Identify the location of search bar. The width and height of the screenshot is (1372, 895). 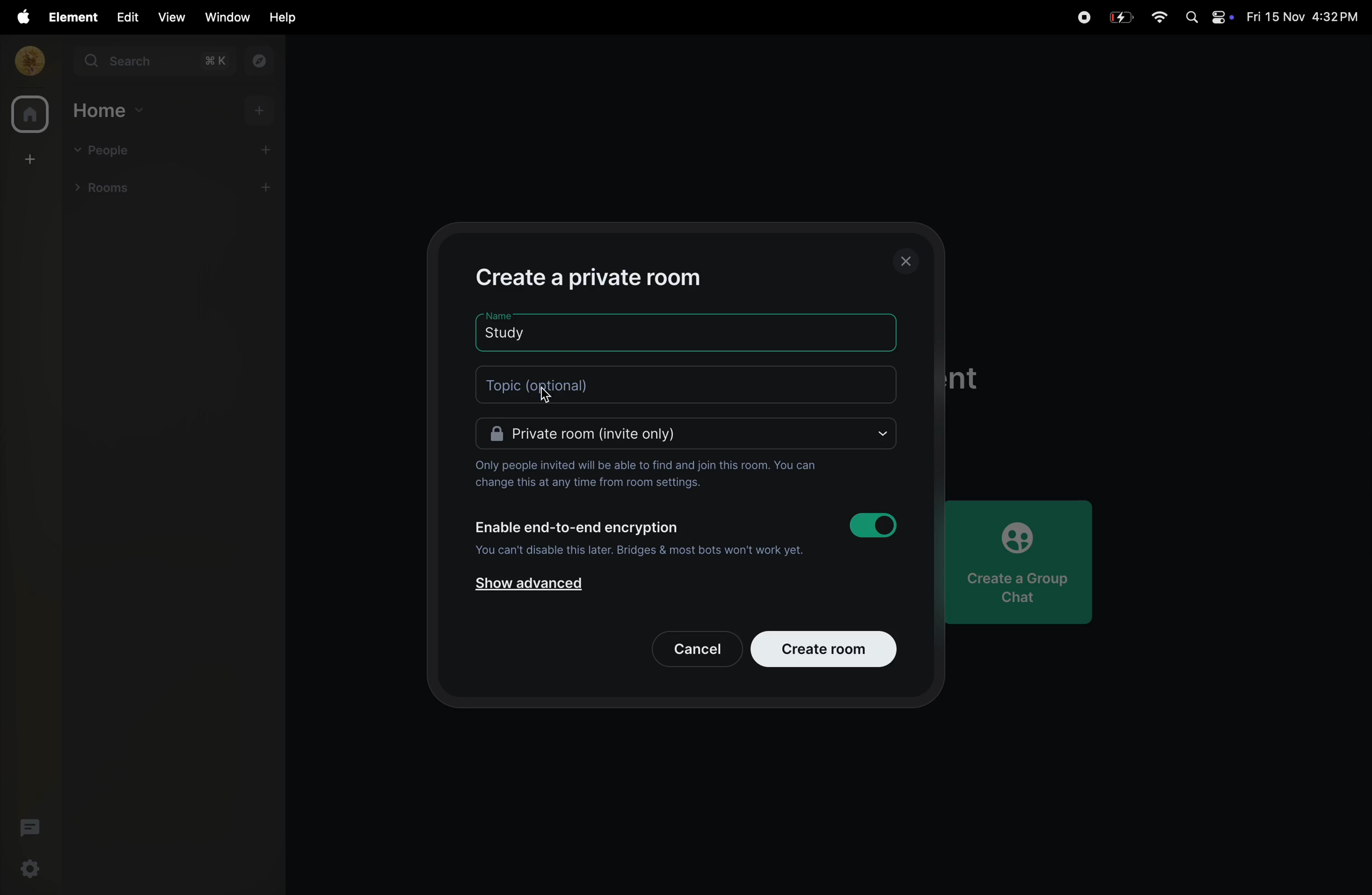
(156, 63).